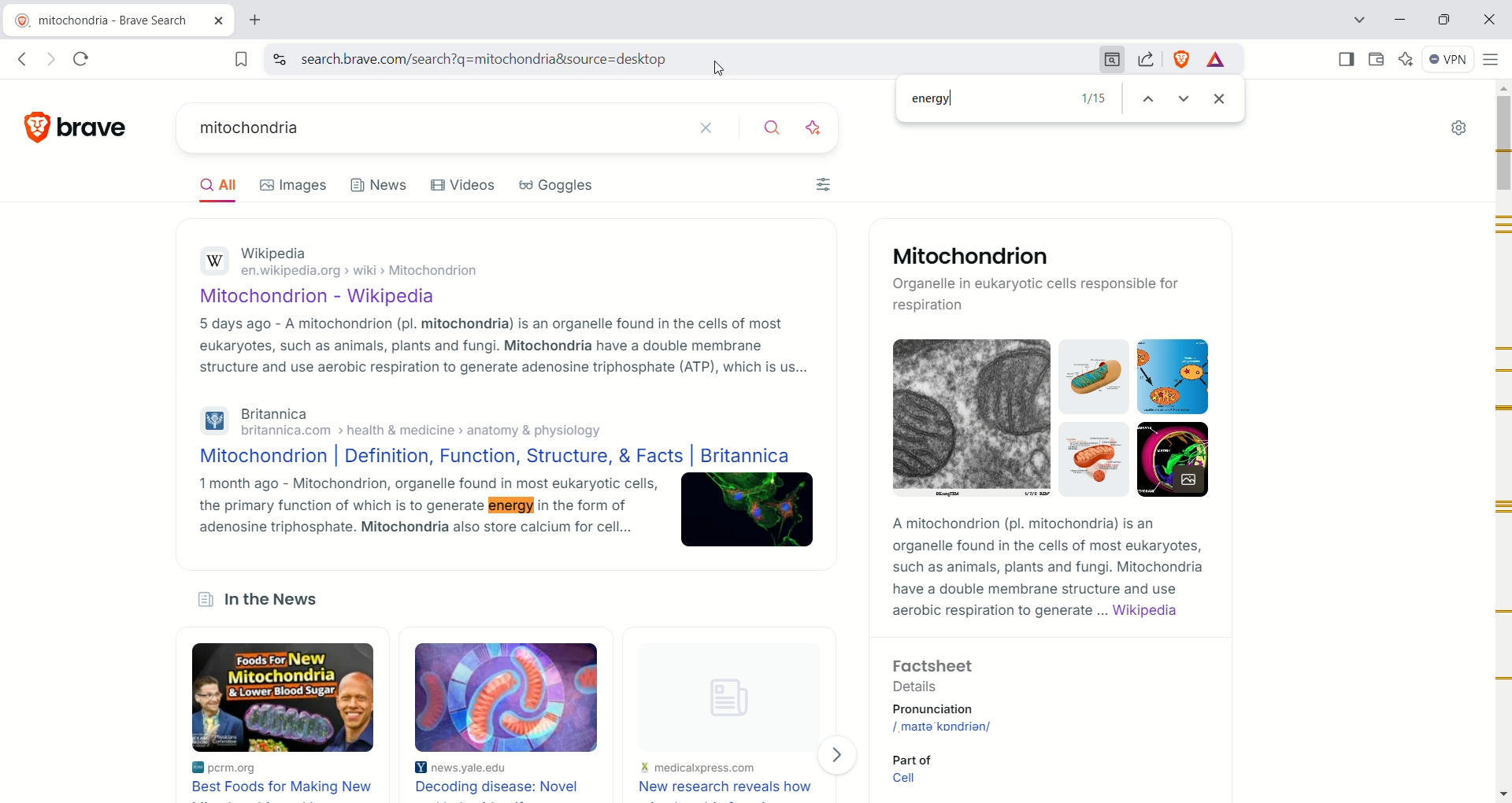 The width and height of the screenshot is (1512, 803). What do you see at coordinates (559, 187) in the screenshot?
I see `Goggles` at bounding box center [559, 187].